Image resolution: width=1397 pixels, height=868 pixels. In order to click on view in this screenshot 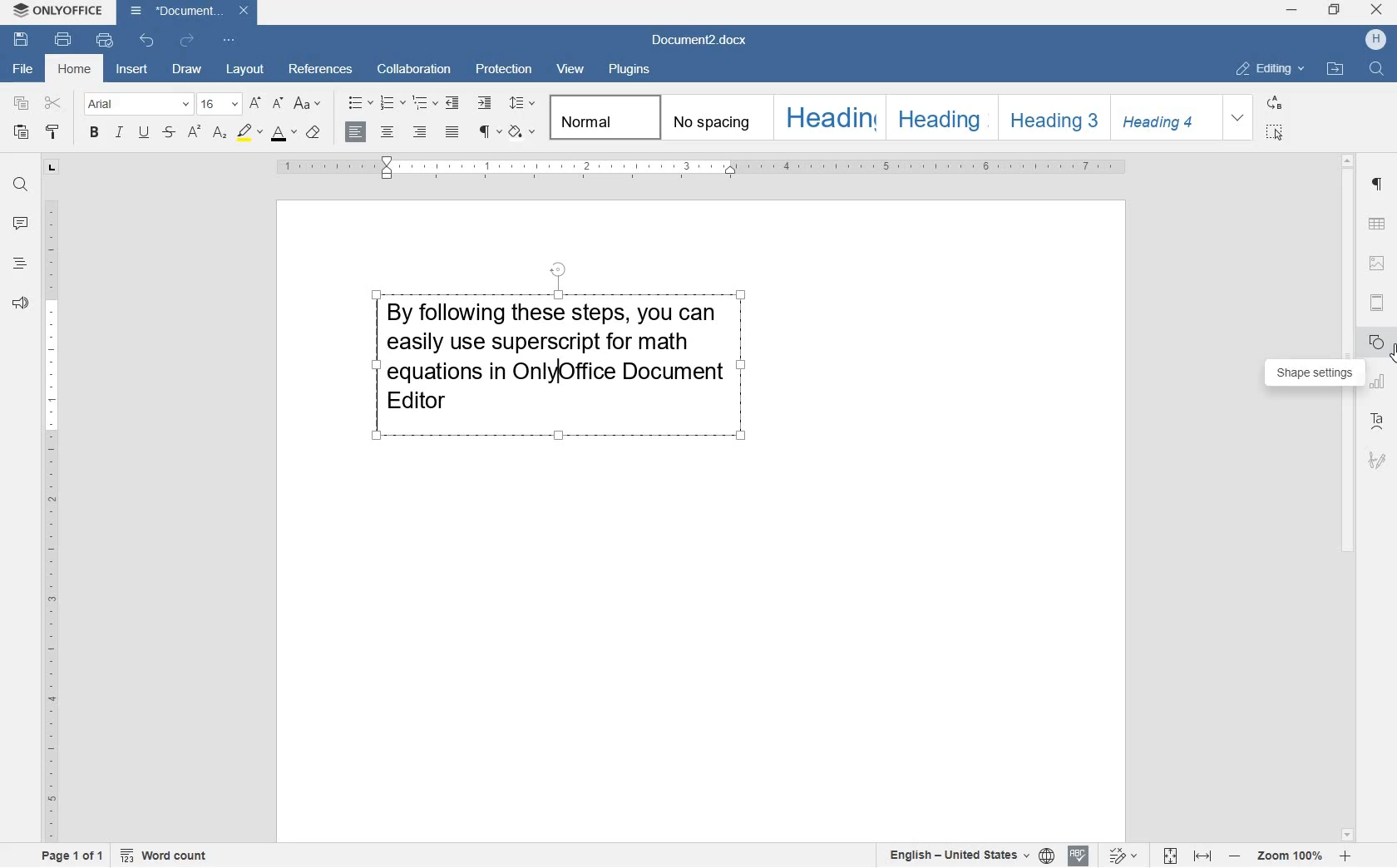, I will do `click(571, 70)`.